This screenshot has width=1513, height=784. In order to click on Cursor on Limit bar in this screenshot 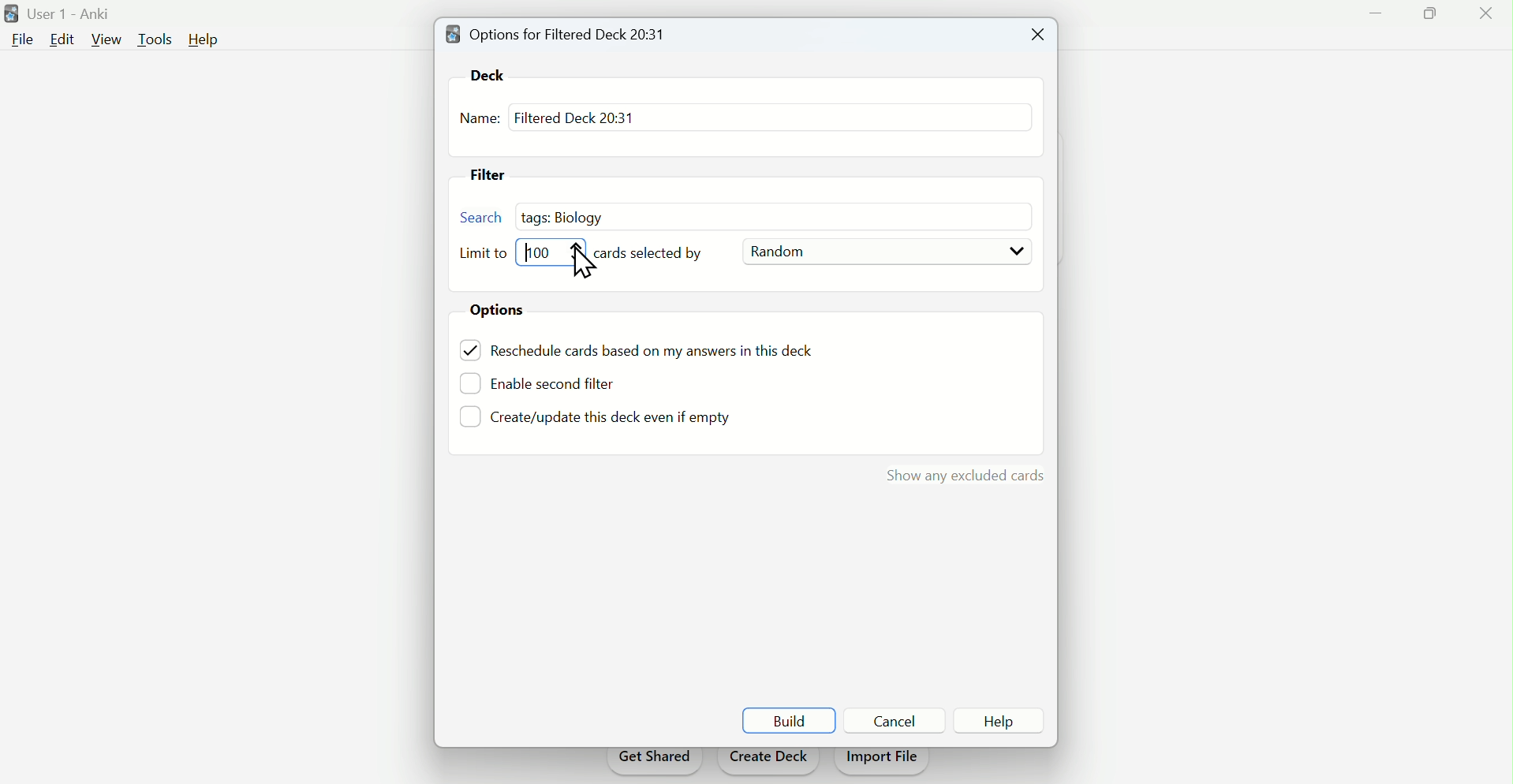, I will do `click(586, 264)`.